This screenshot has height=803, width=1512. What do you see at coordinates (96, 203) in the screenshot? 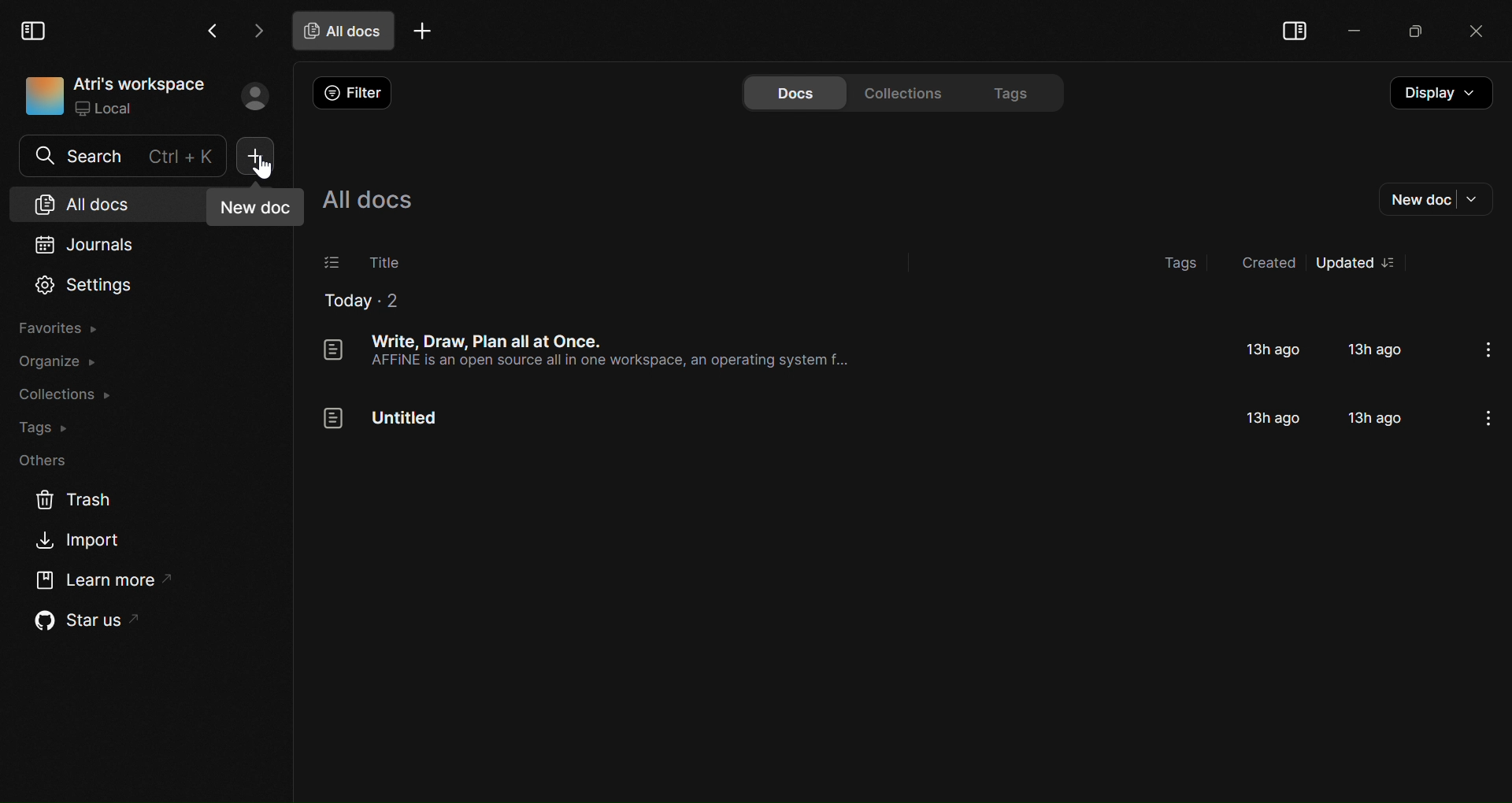
I see `All docs` at bounding box center [96, 203].